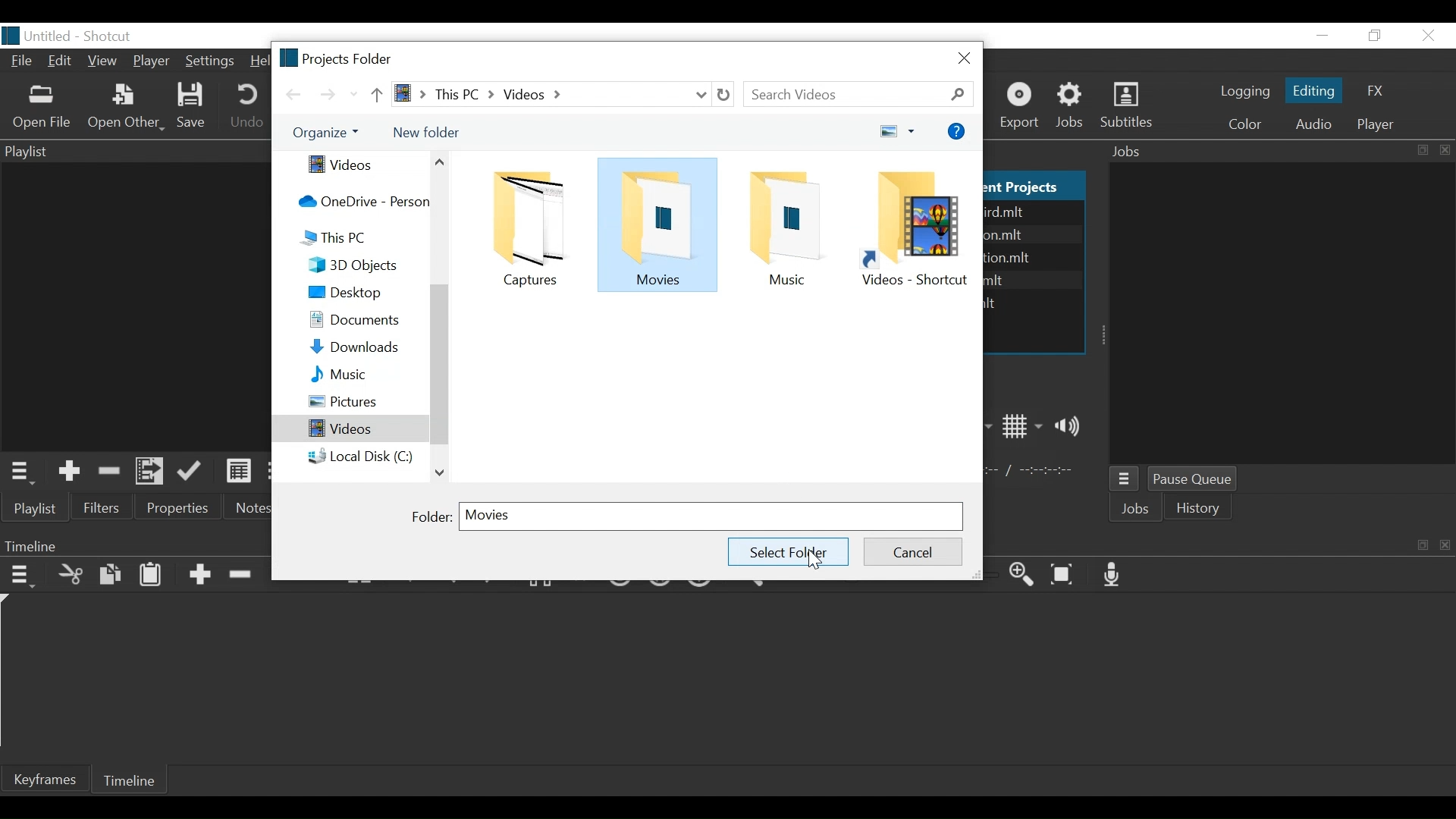  I want to click on Update, so click(193, 472).